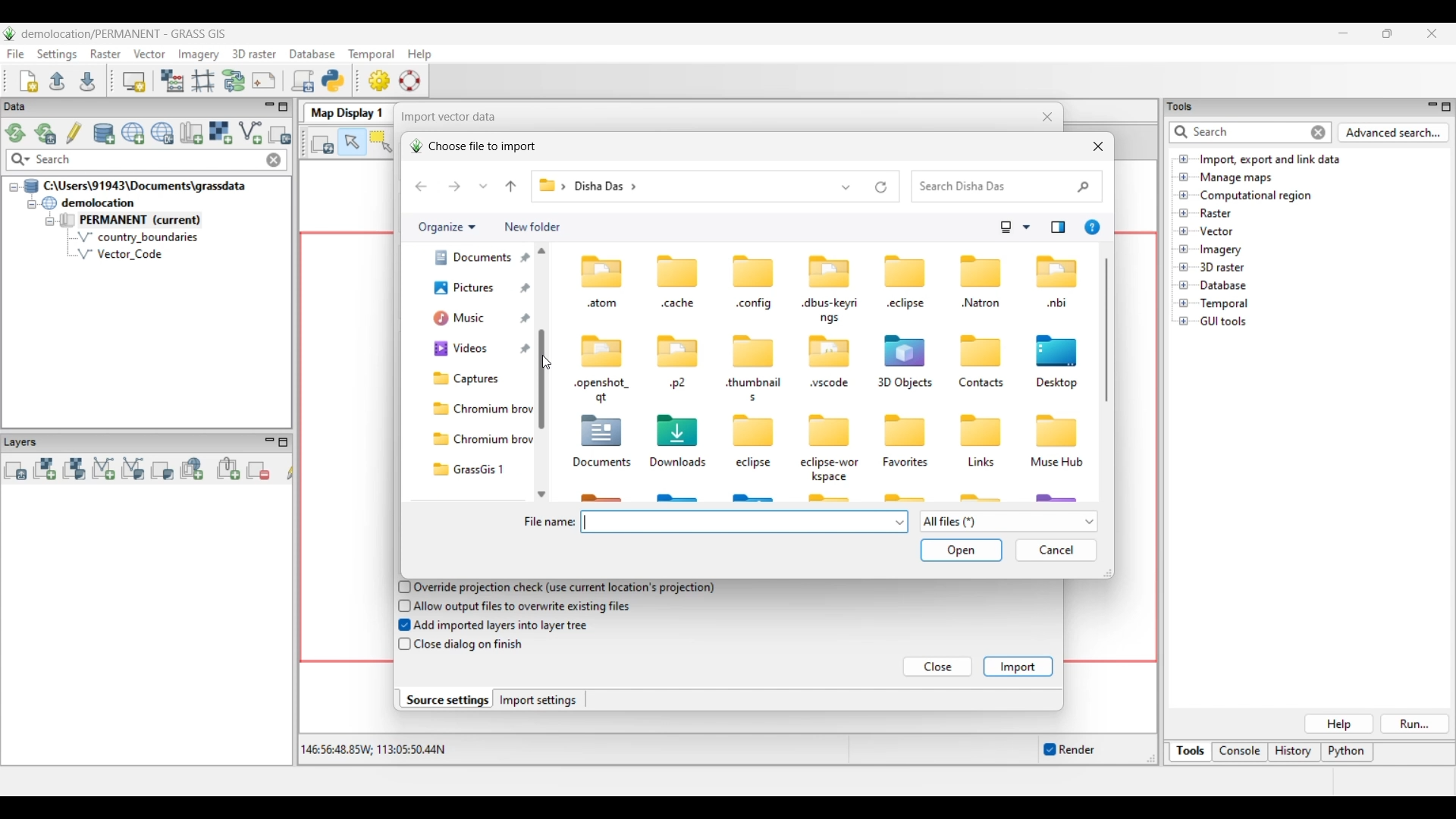  What do you see at coordinates (752, 390) in the screenshot?
I see `thumbnail. s` at bounding box center [752, 390].